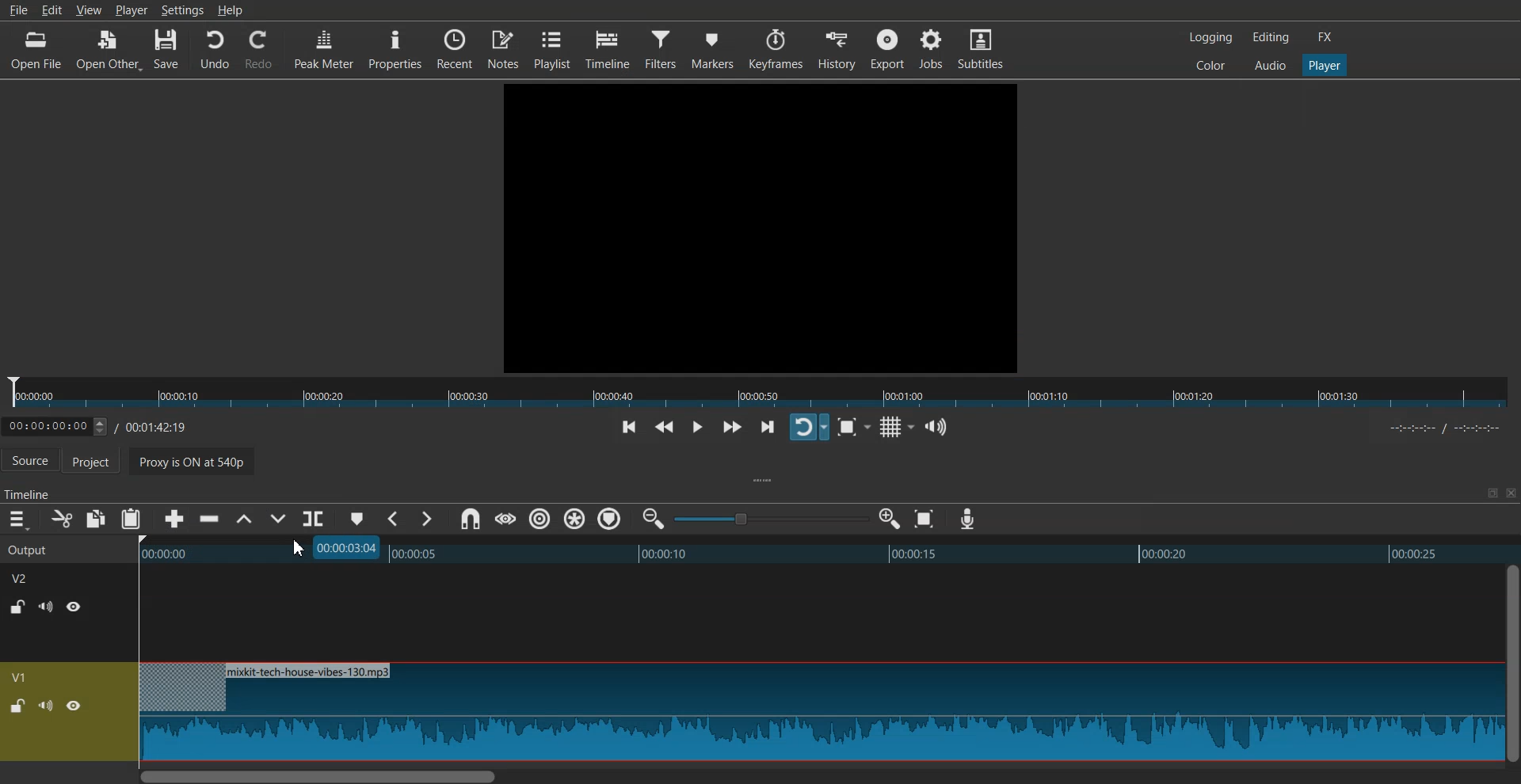 Image resolution: width=1521 pixels, height=784 pixels. I want to click on File Preview window, so click(764, 226).